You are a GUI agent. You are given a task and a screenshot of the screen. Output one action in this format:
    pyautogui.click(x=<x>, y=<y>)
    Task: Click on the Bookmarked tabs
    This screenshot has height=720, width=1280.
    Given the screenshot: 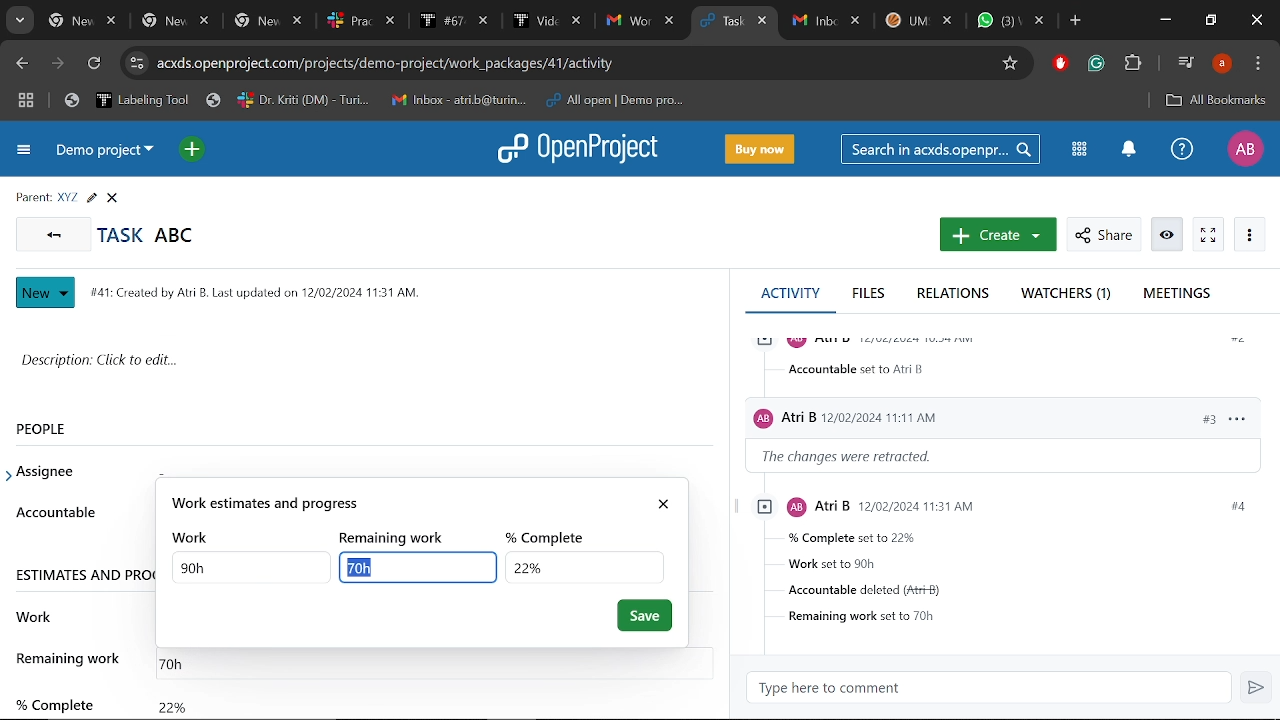 What is the action you would take?
    pyautogui.click(x=378, y=101)
    